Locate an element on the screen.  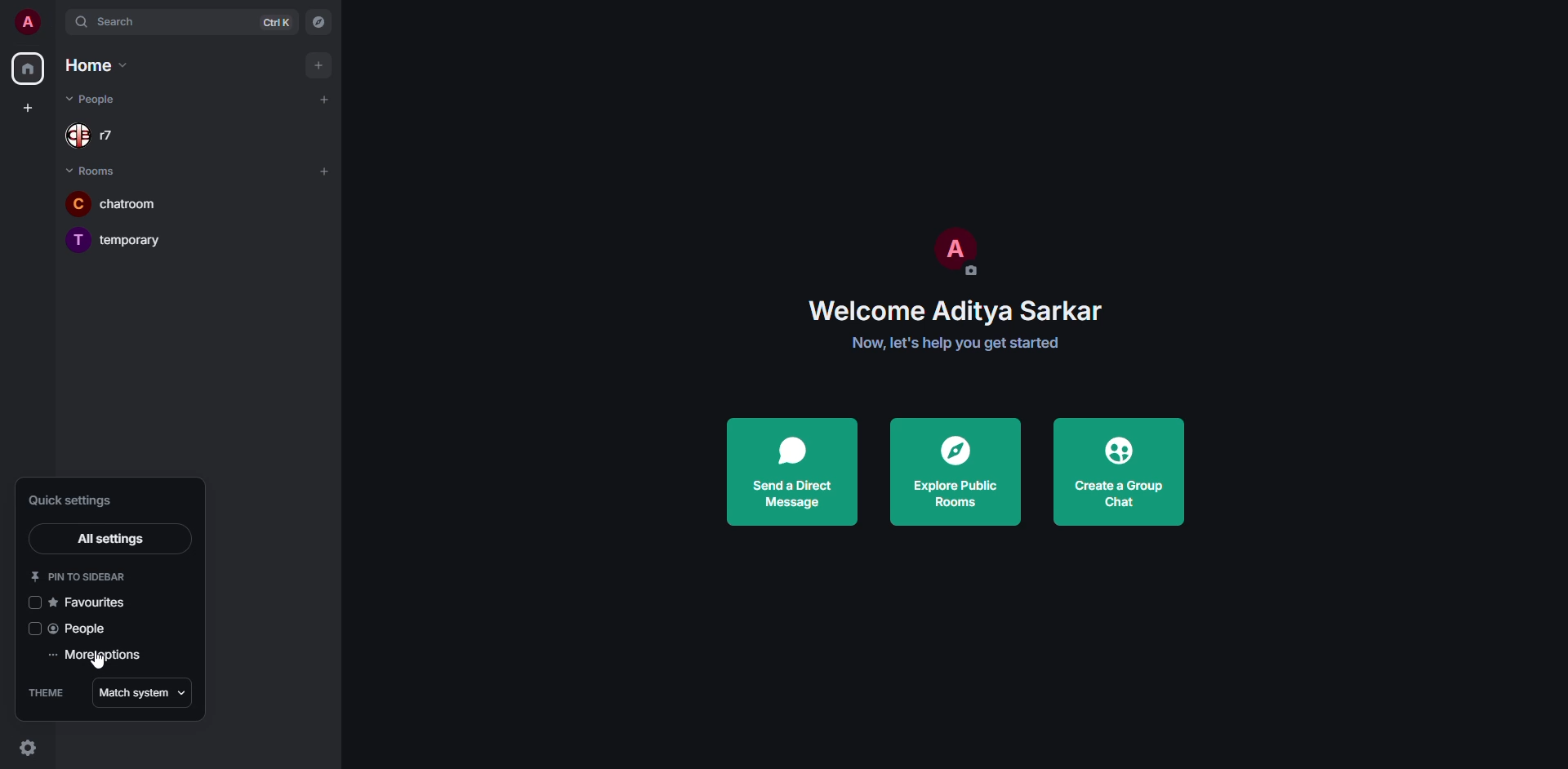
profile is located at coordinates (24, 21).